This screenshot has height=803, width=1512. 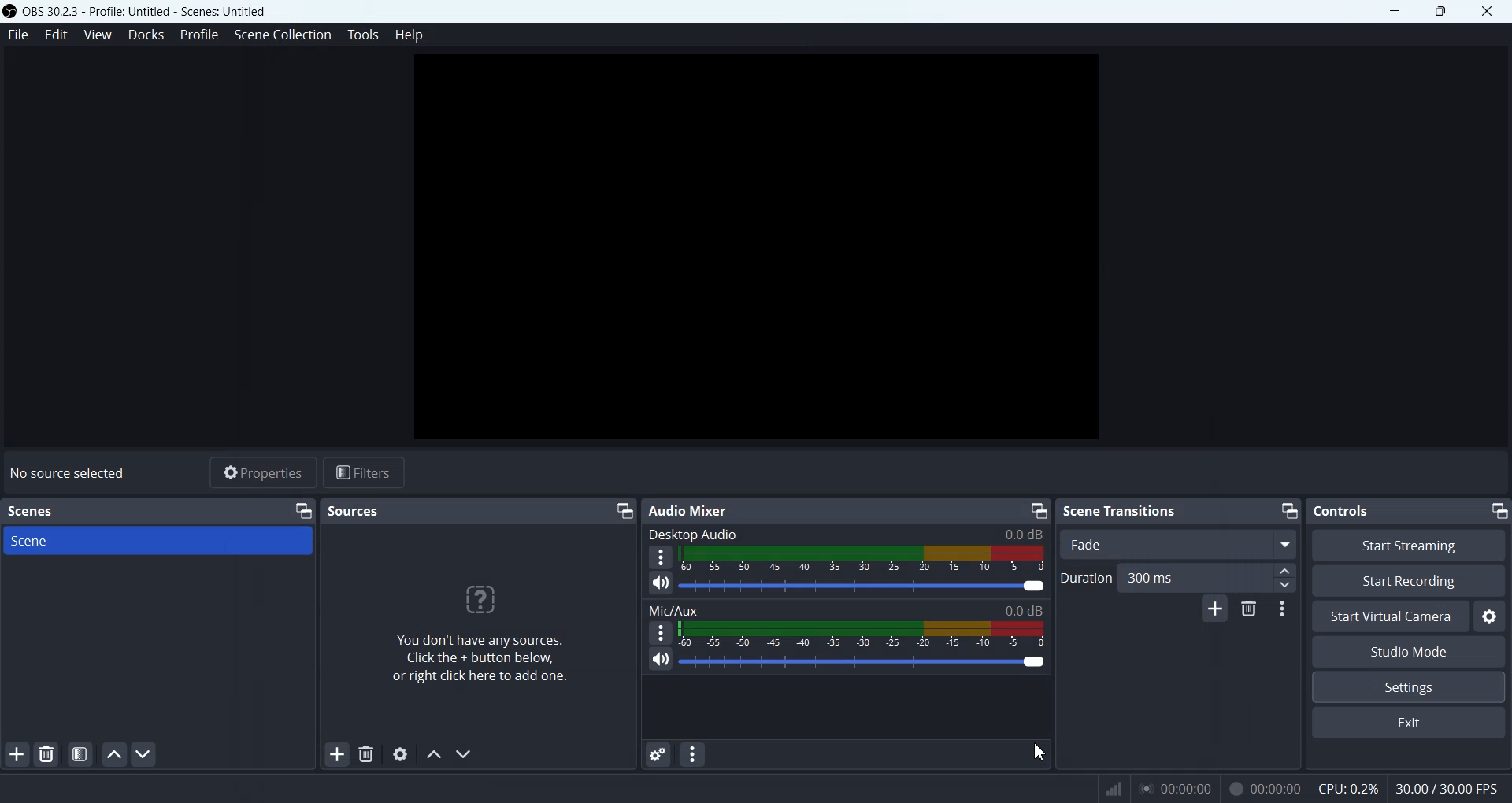 I want to click on Mic/Aux Indicator, so click(x=864, y=633).